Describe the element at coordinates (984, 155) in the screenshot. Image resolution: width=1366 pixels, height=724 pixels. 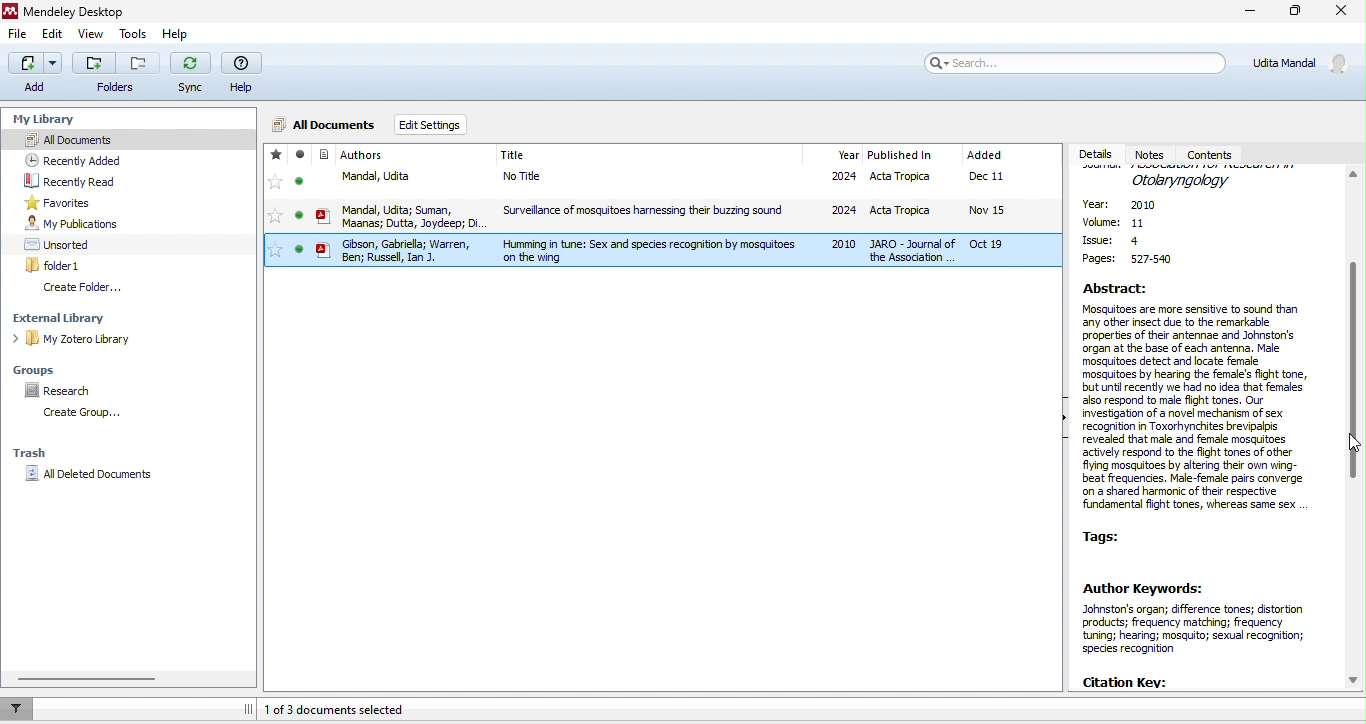
I see `added month` at that location.